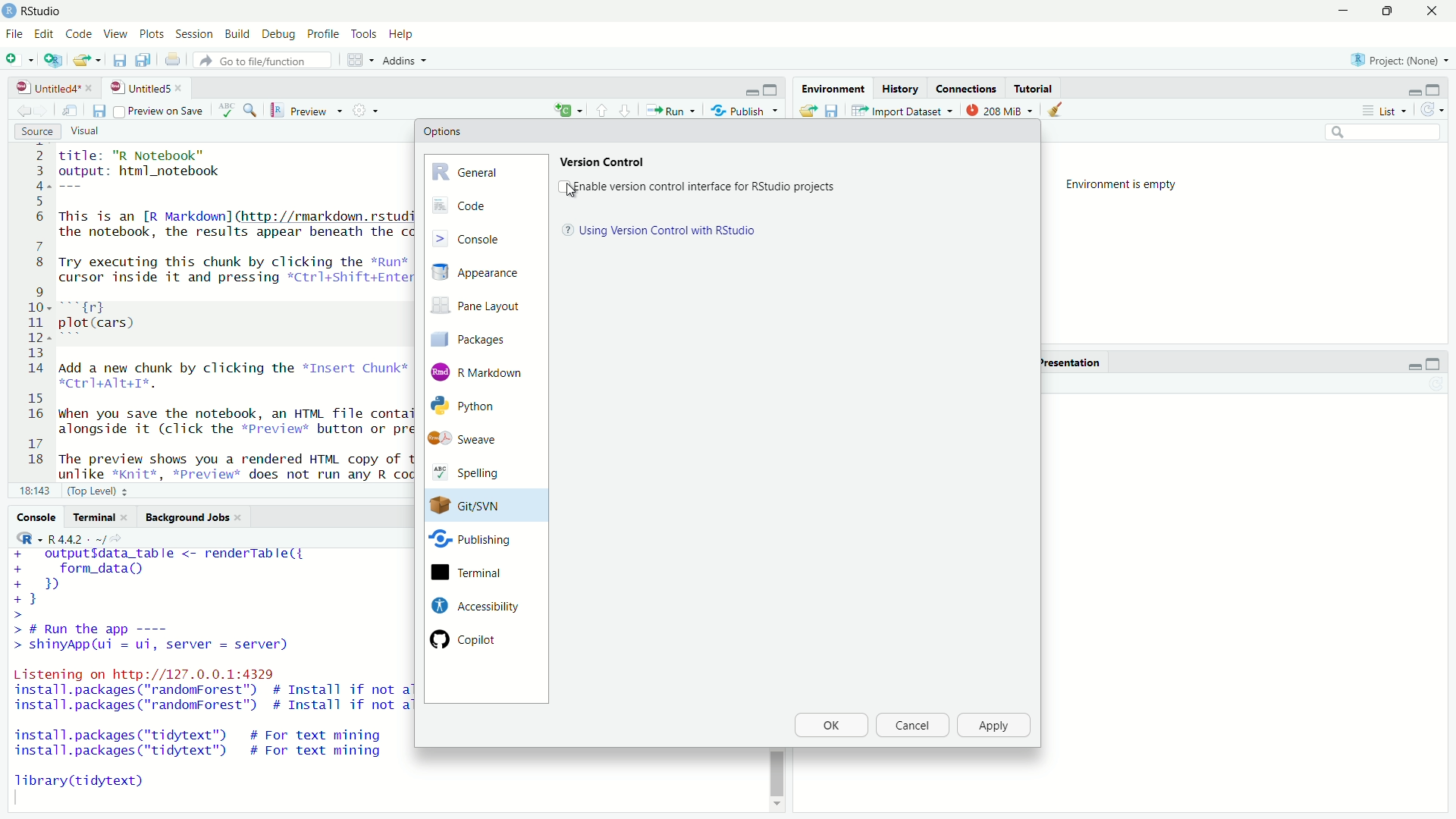 The image size is (1456, 819). Describe the element at coordinates (21, 111) in the screenshot. I see `move forward` at that location.